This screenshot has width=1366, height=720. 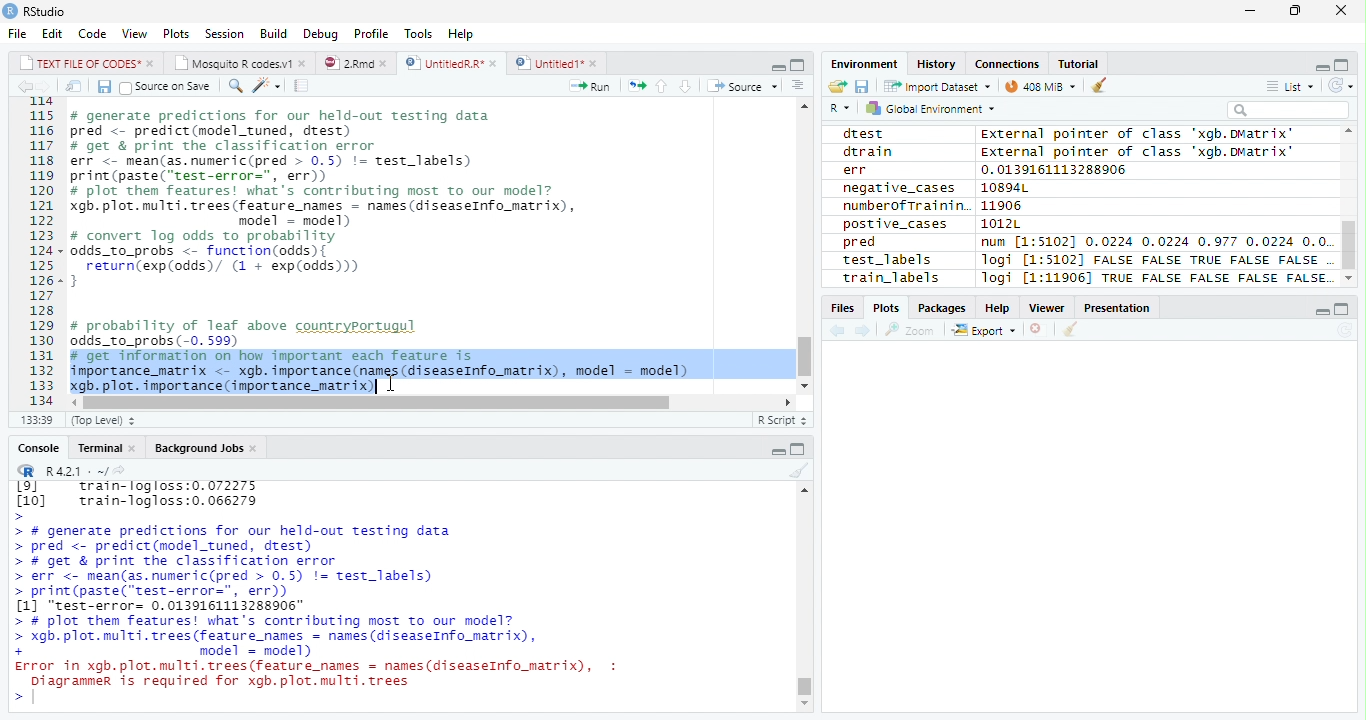 I want to click on Maximize, so click(x=1345, y=63).